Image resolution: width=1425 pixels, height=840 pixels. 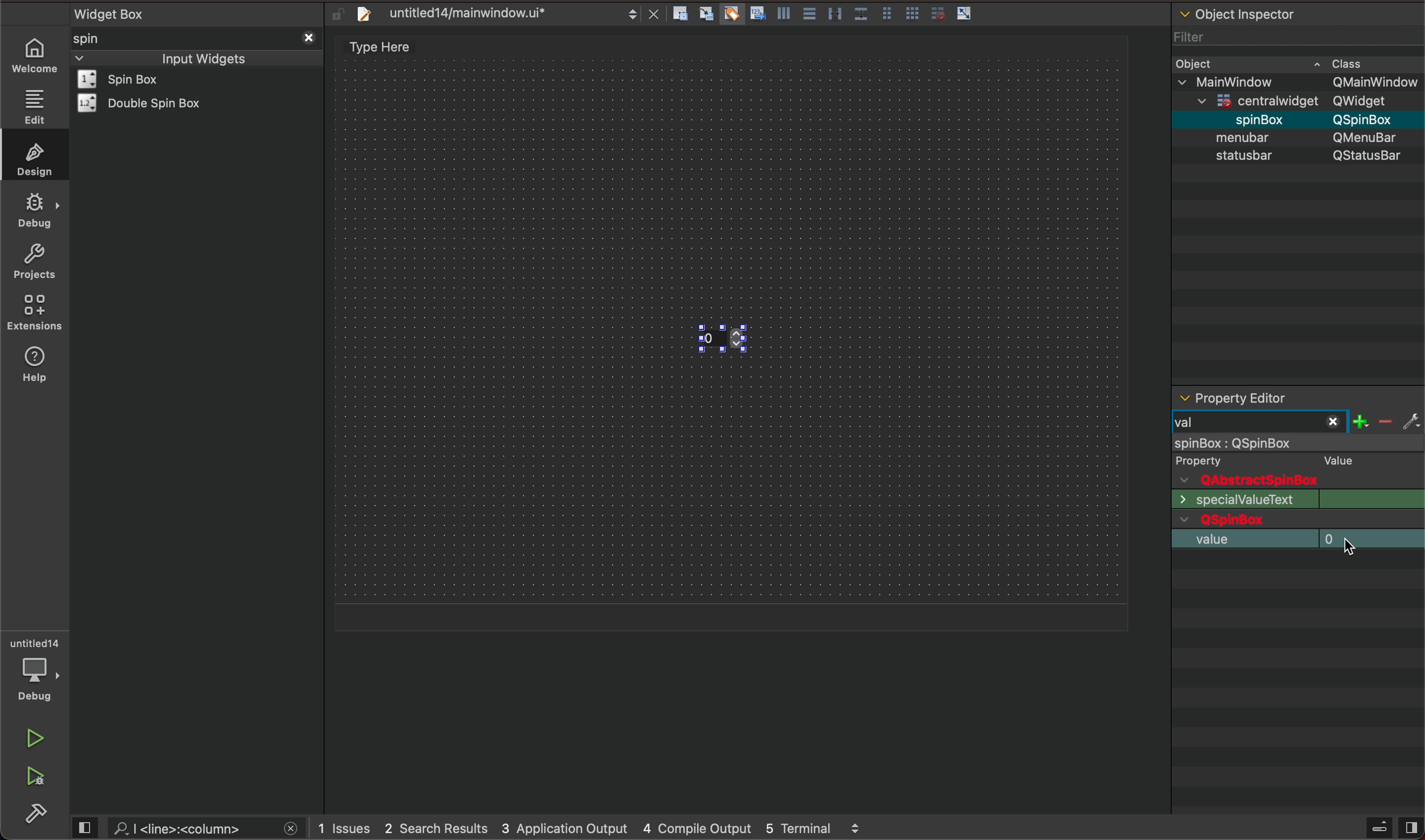 I want to click on edit, so click(x=33, y=106).